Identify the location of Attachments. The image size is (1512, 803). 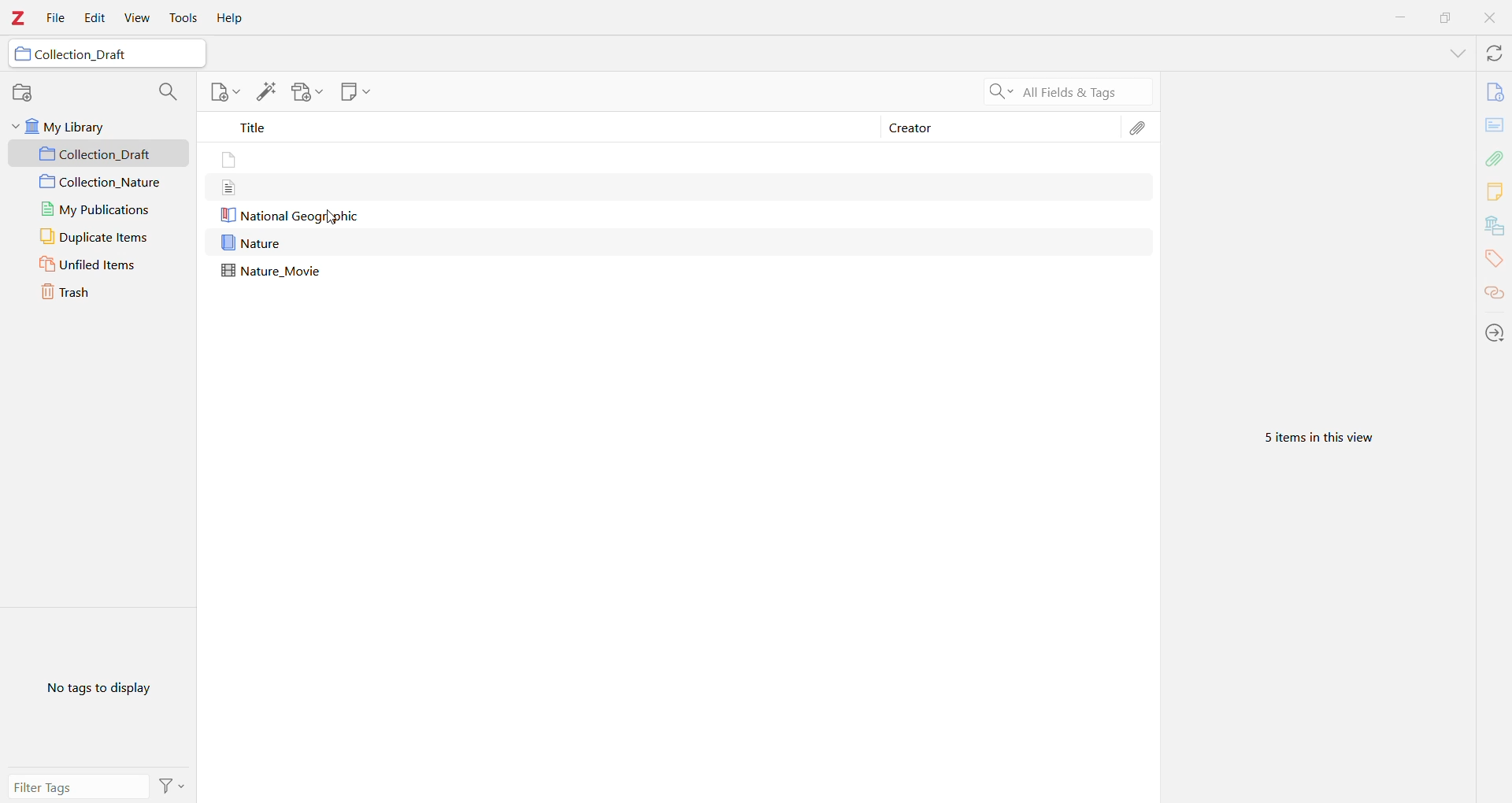
(1496, 157).